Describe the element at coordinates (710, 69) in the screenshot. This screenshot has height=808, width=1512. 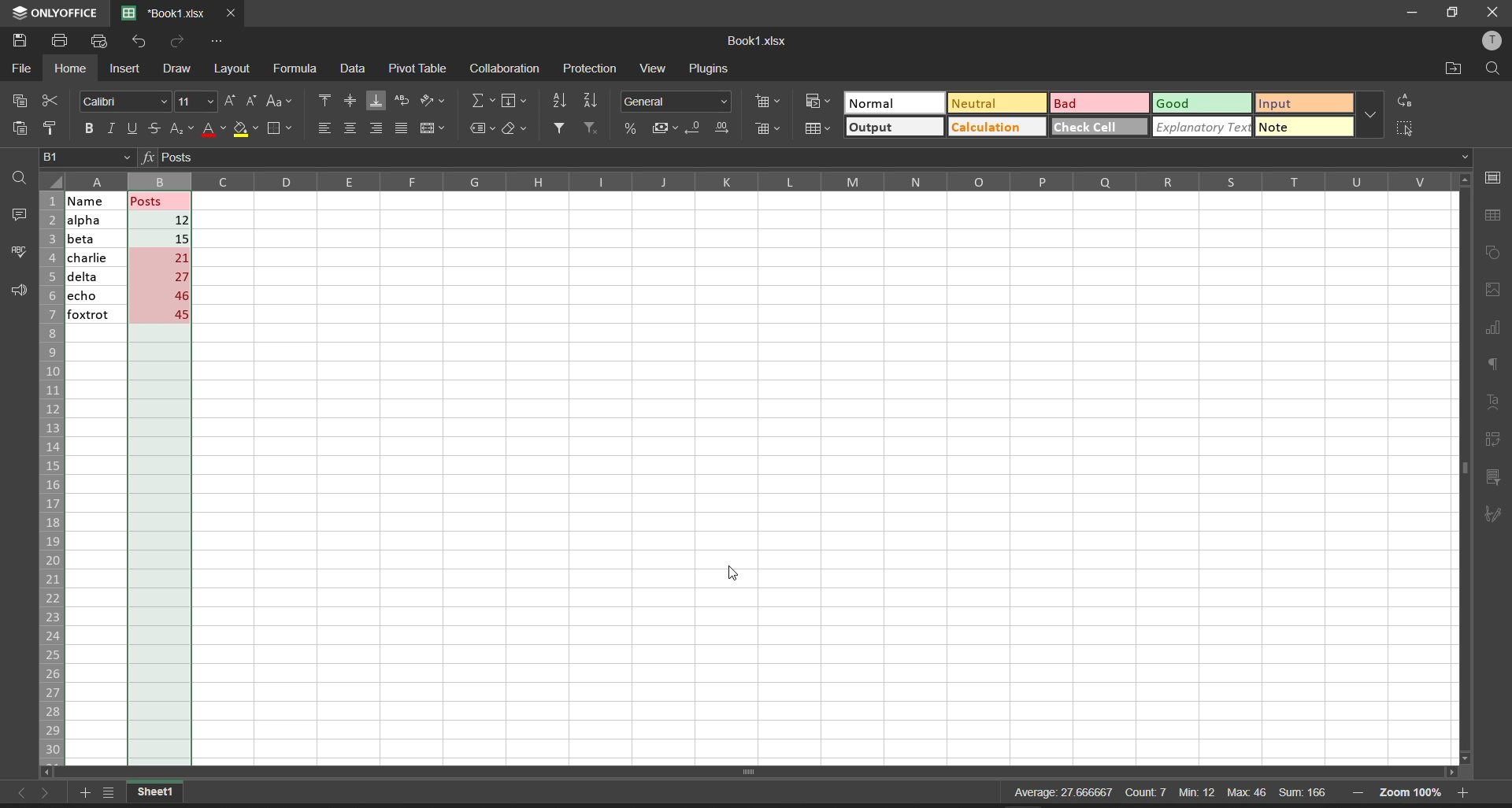
I see `plugins` at that location.